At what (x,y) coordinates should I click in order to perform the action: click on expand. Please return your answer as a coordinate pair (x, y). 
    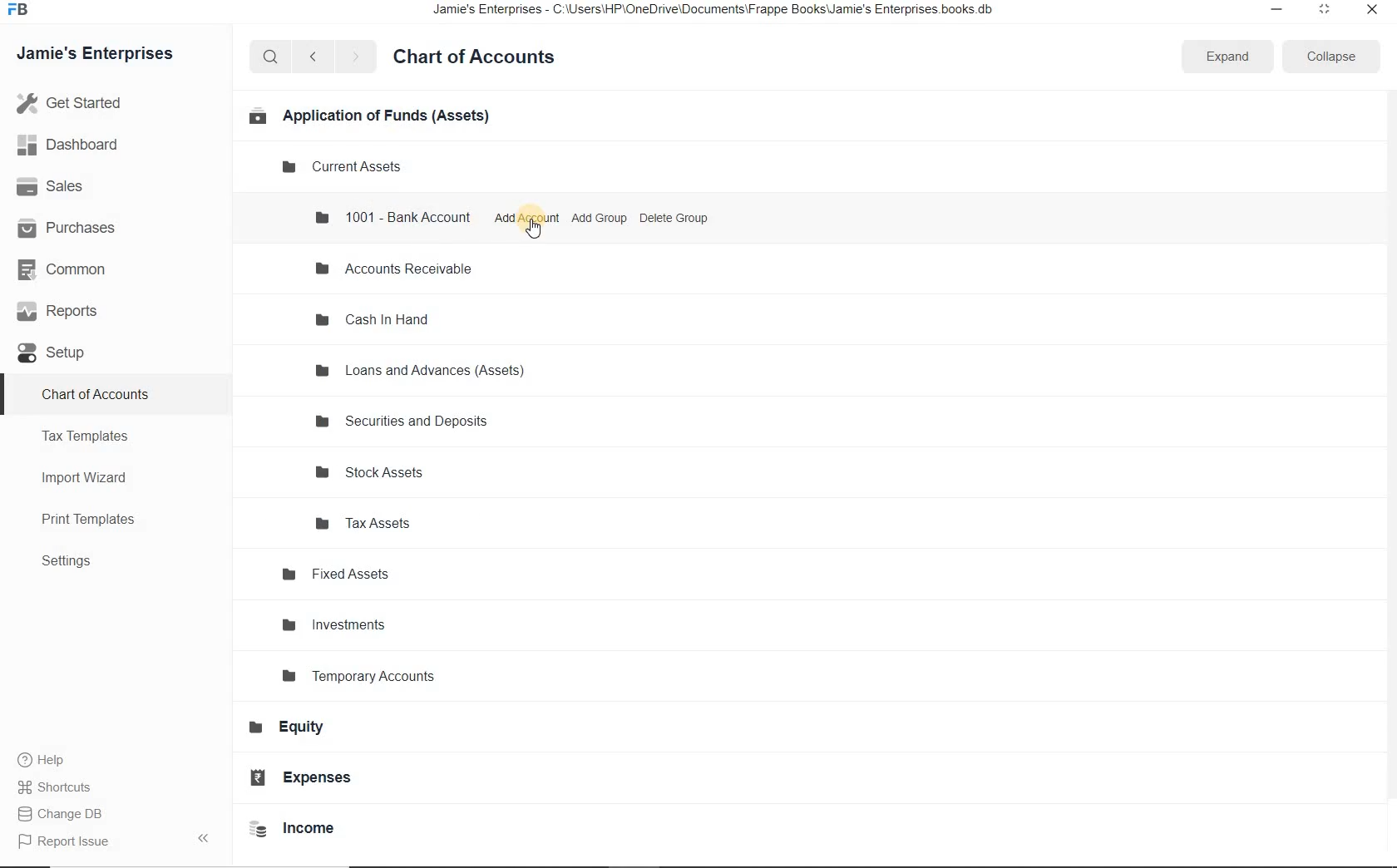
    Looking at the image, I should click on (207, 837).